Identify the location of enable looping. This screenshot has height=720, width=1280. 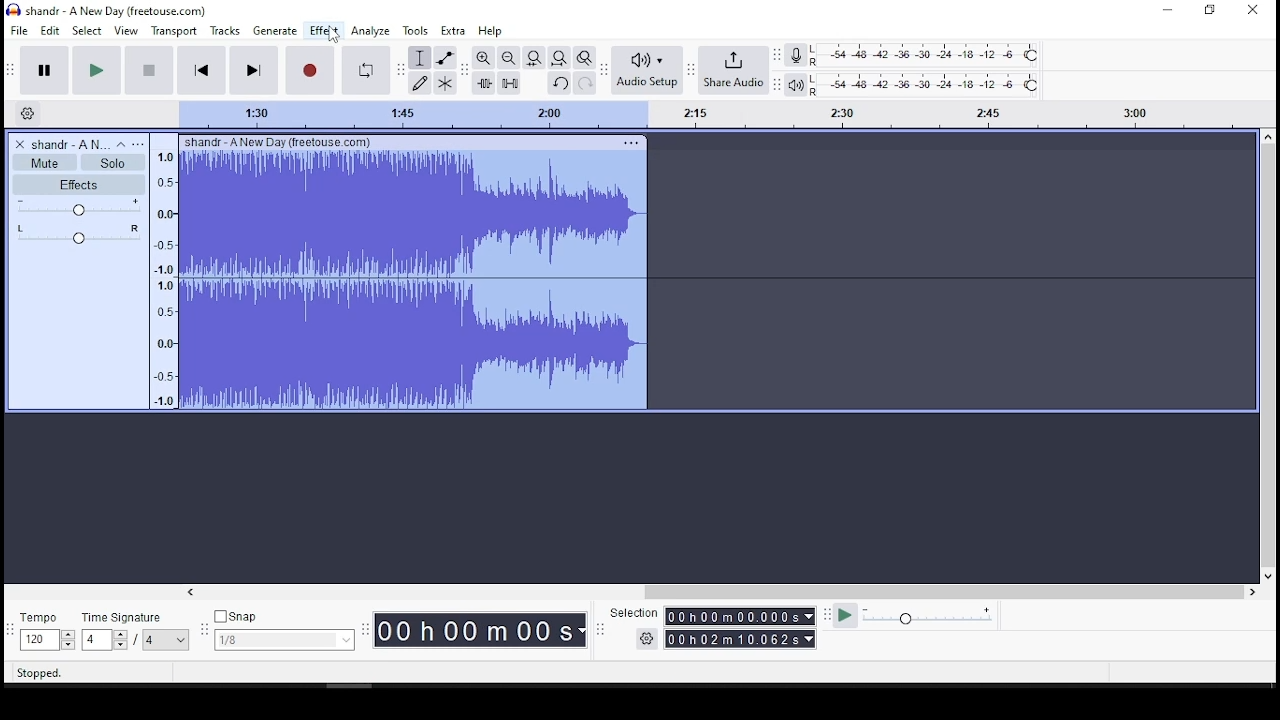
(367, 70).